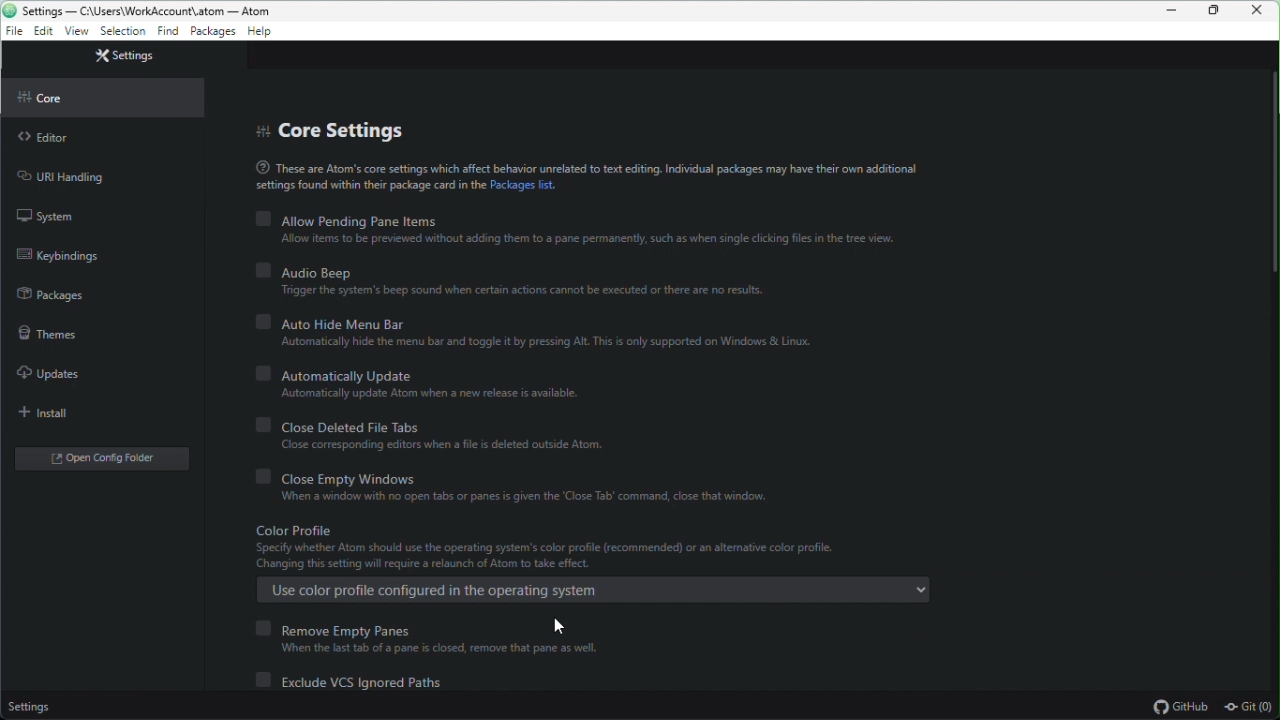 The height and width of the screenshot is (720, 1280). What do you see at coordinates (584, 177) in the screenshot?
I see `Text` at bounding box center [584, 177].